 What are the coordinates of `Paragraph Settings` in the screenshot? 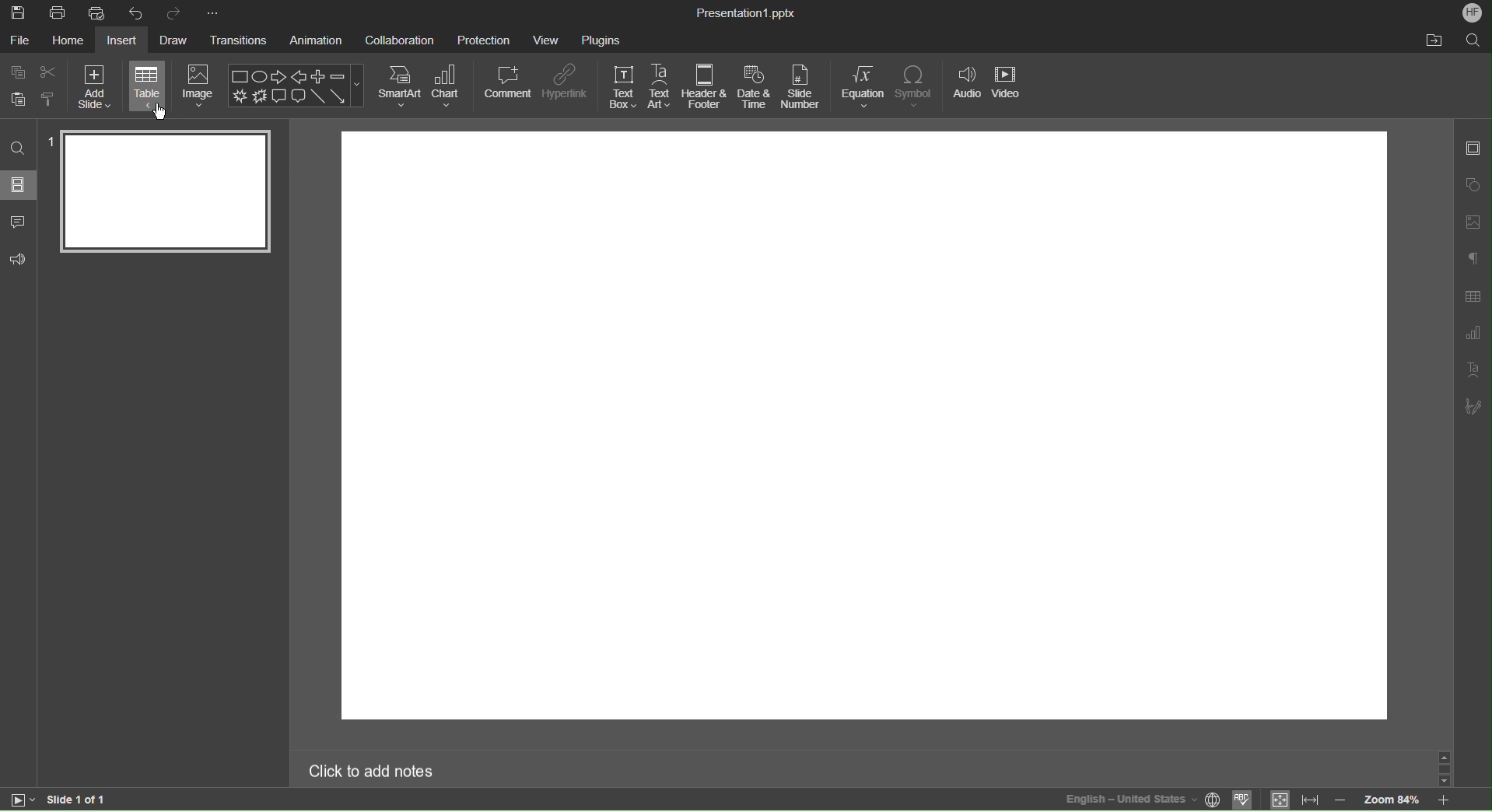 It's located at (1473, 260).